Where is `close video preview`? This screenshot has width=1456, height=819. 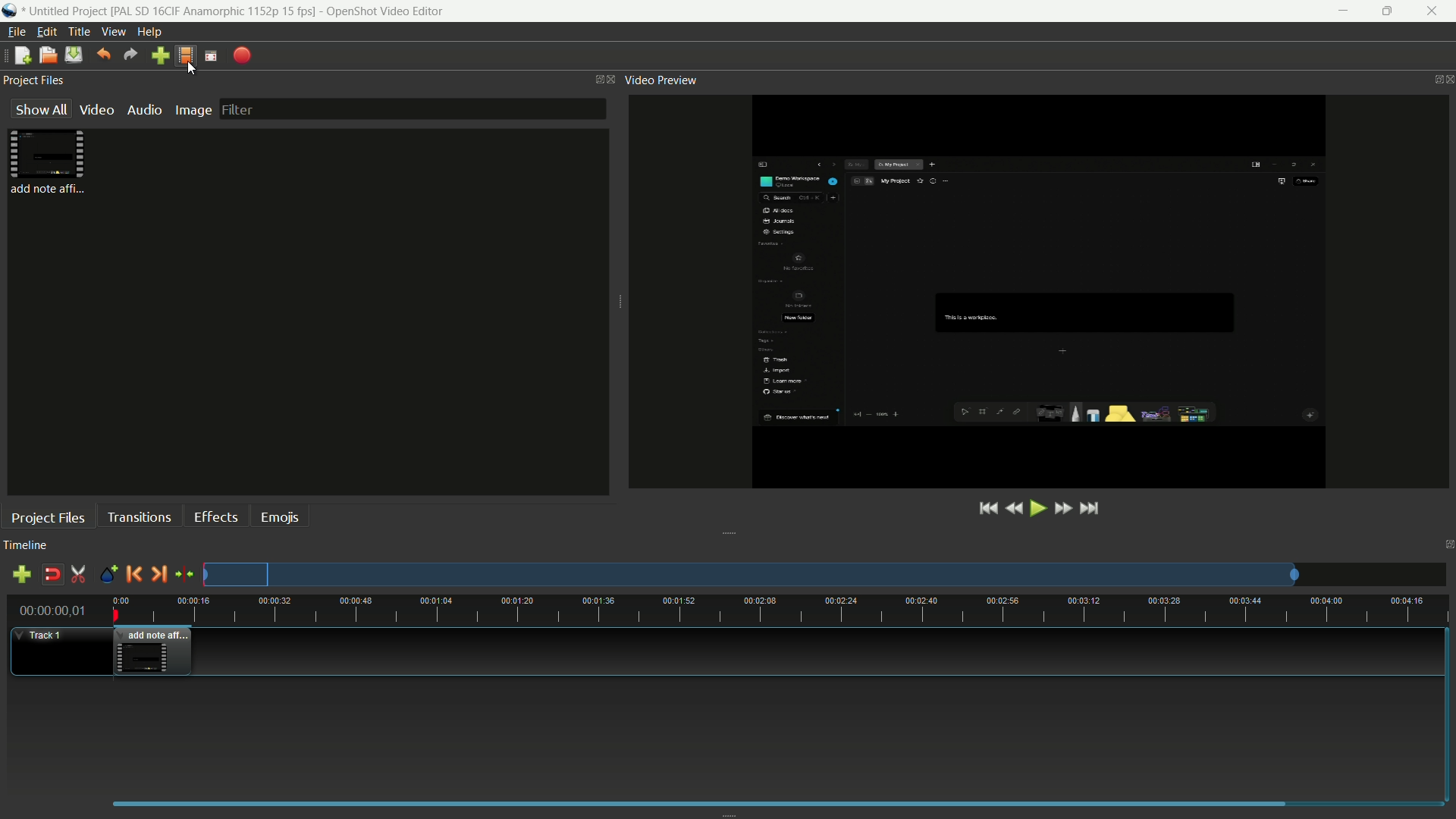
close video preview is located at coordinates (1447, 80).